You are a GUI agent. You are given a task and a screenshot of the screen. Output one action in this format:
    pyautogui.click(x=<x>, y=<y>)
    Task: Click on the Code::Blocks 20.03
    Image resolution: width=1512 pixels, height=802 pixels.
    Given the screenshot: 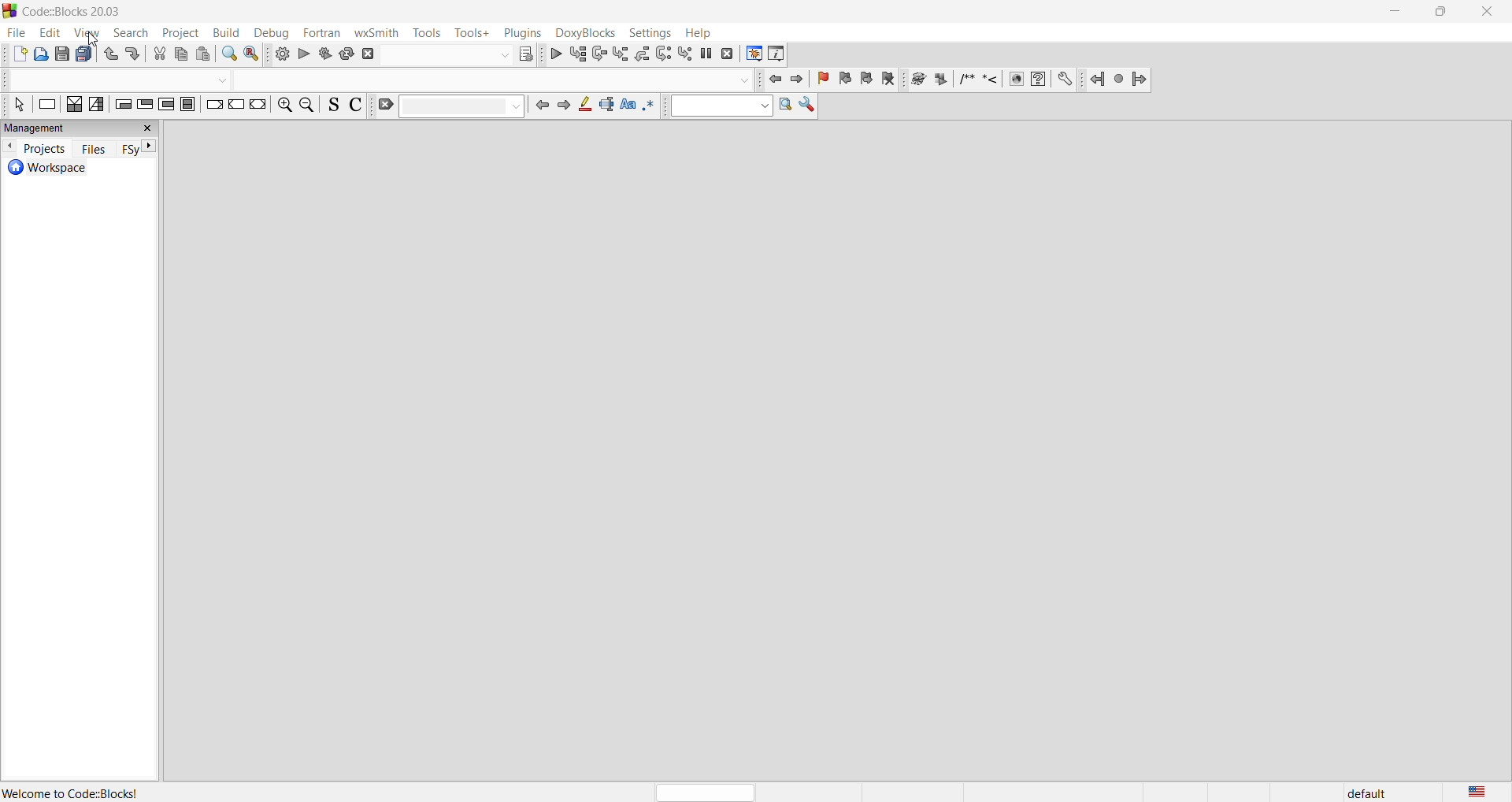 What is the action you would take?
    pyautogui.click(x=62, y=12)
    